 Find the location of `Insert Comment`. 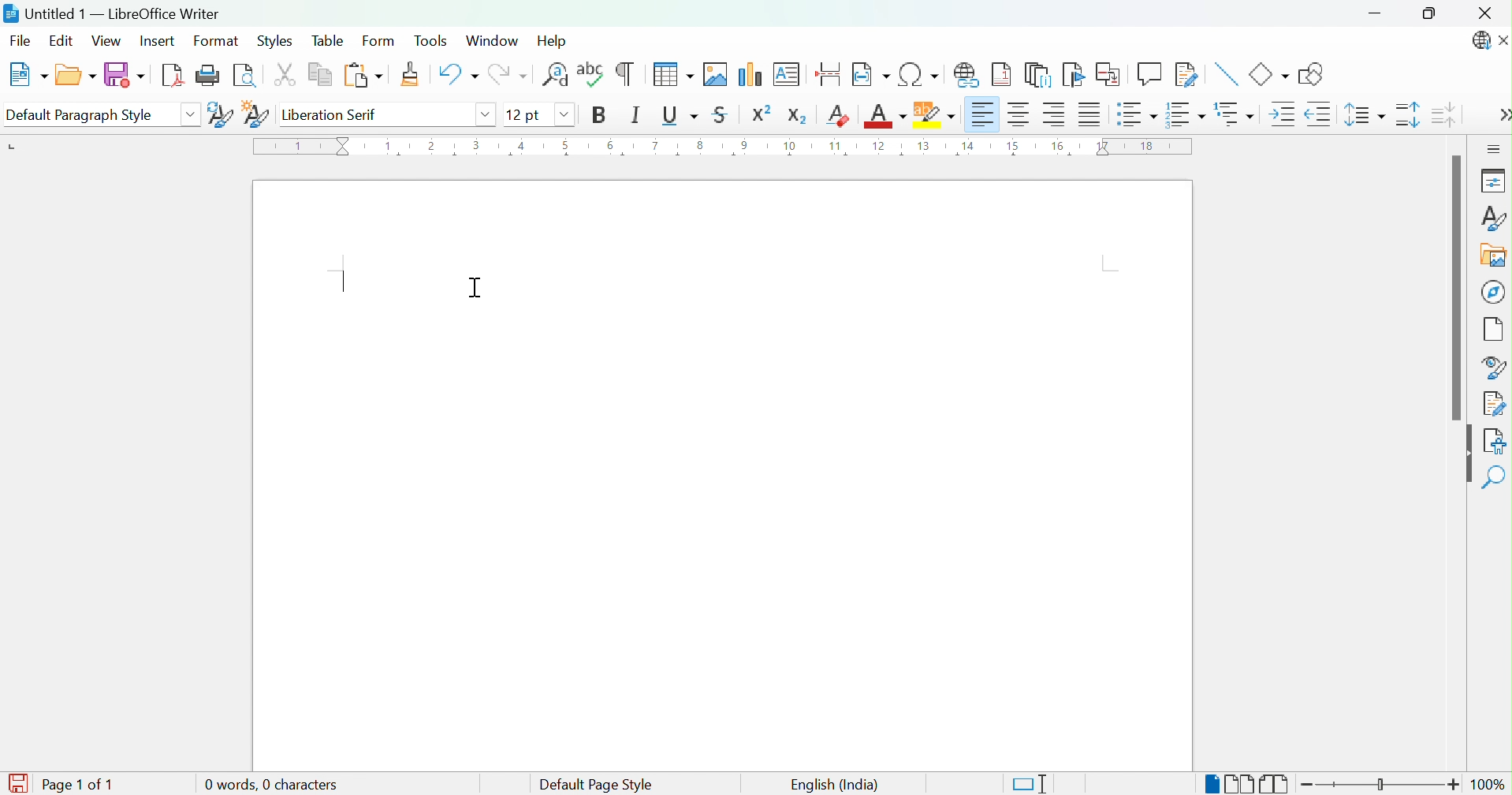

Insert Comment is located at coordinates (1149, 74).